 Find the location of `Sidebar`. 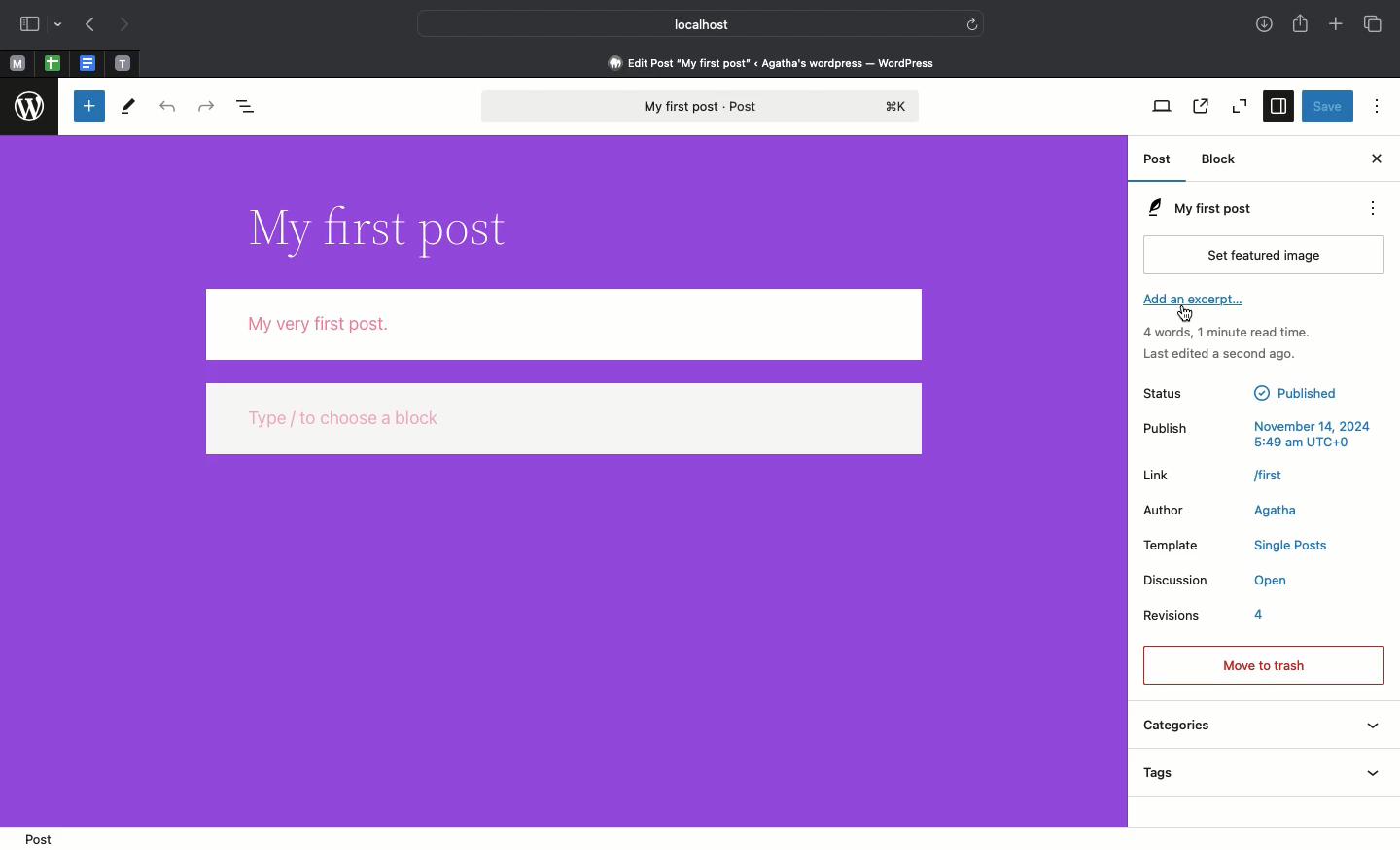

Sidebar is located at coordinates (42, 25).